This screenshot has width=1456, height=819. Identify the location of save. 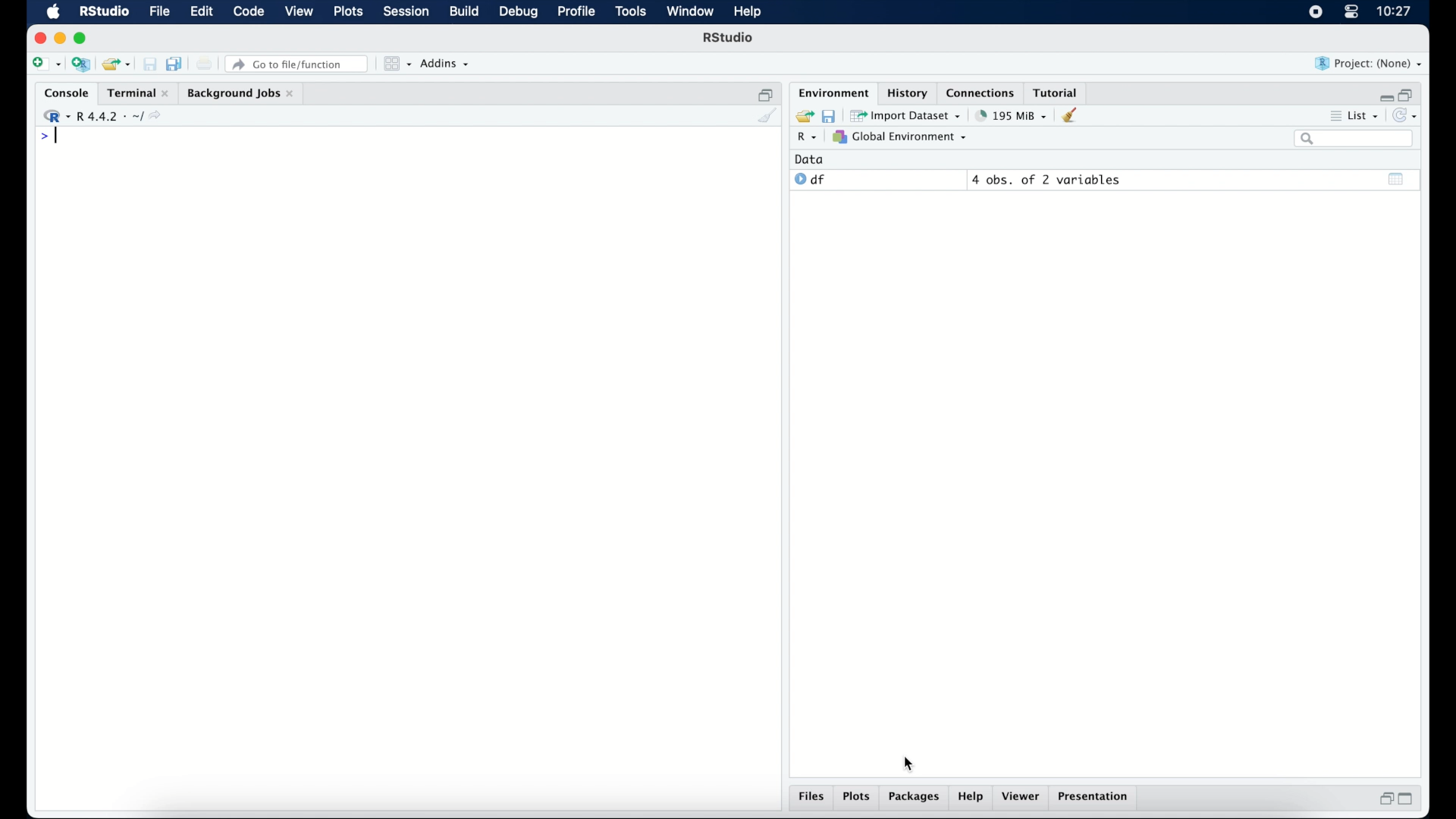
(149, 64).